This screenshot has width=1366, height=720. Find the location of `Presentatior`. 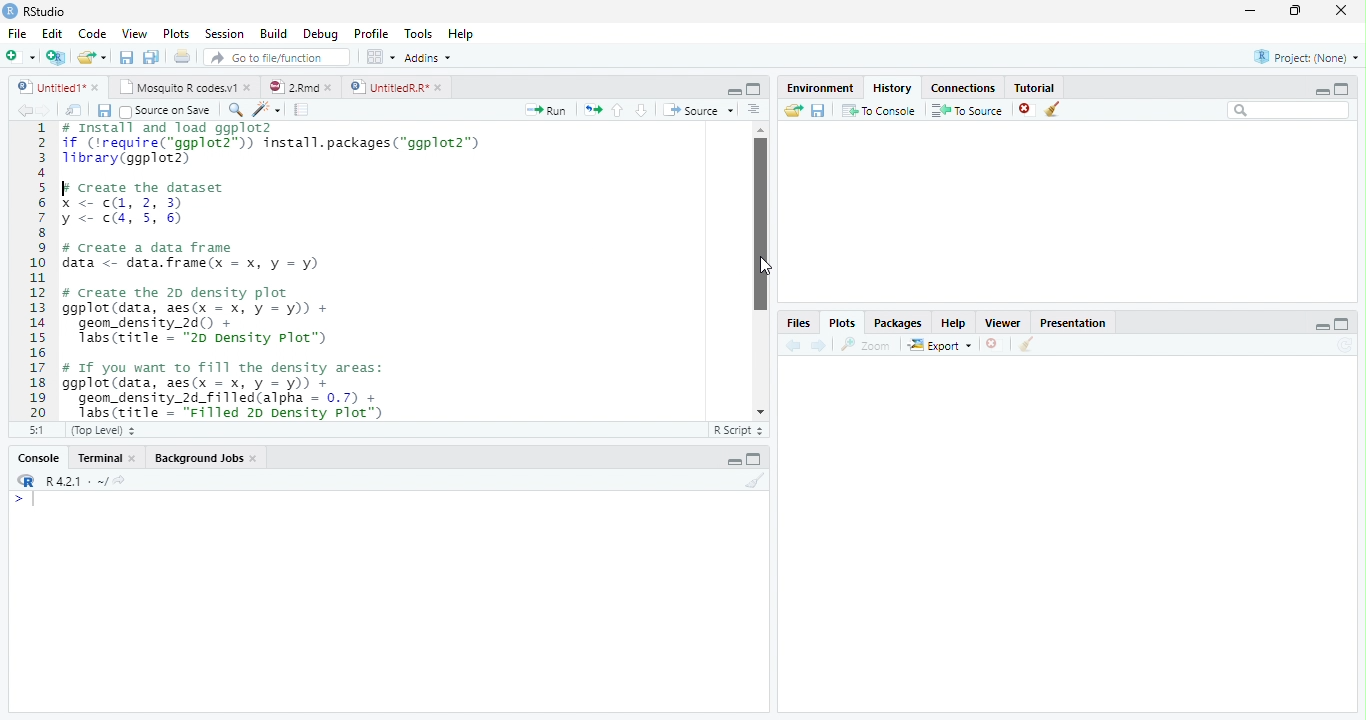

Presentatior is located at coordinates (1072, 324).